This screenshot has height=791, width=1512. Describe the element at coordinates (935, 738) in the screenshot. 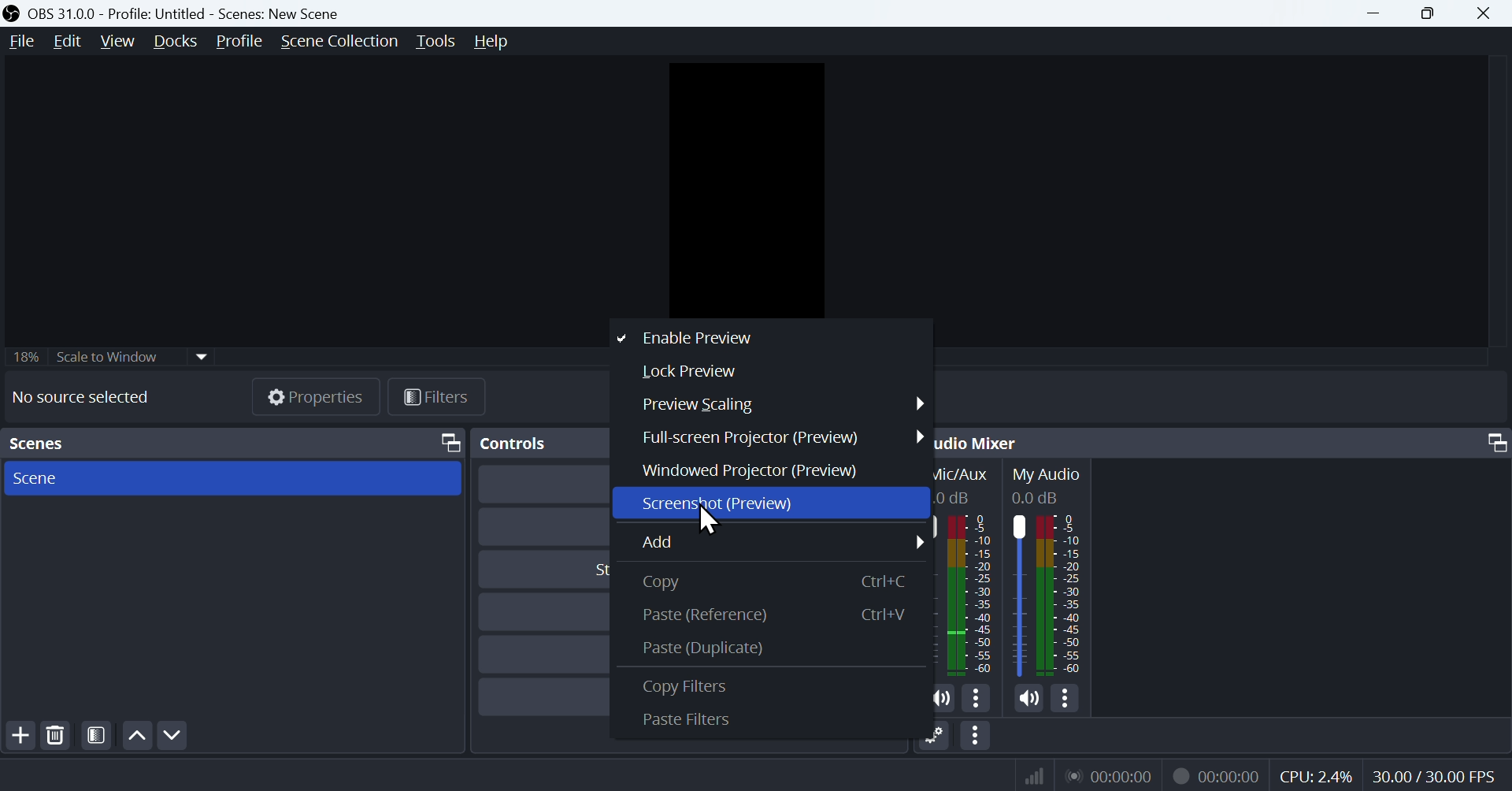

I see `Setting` at that location.